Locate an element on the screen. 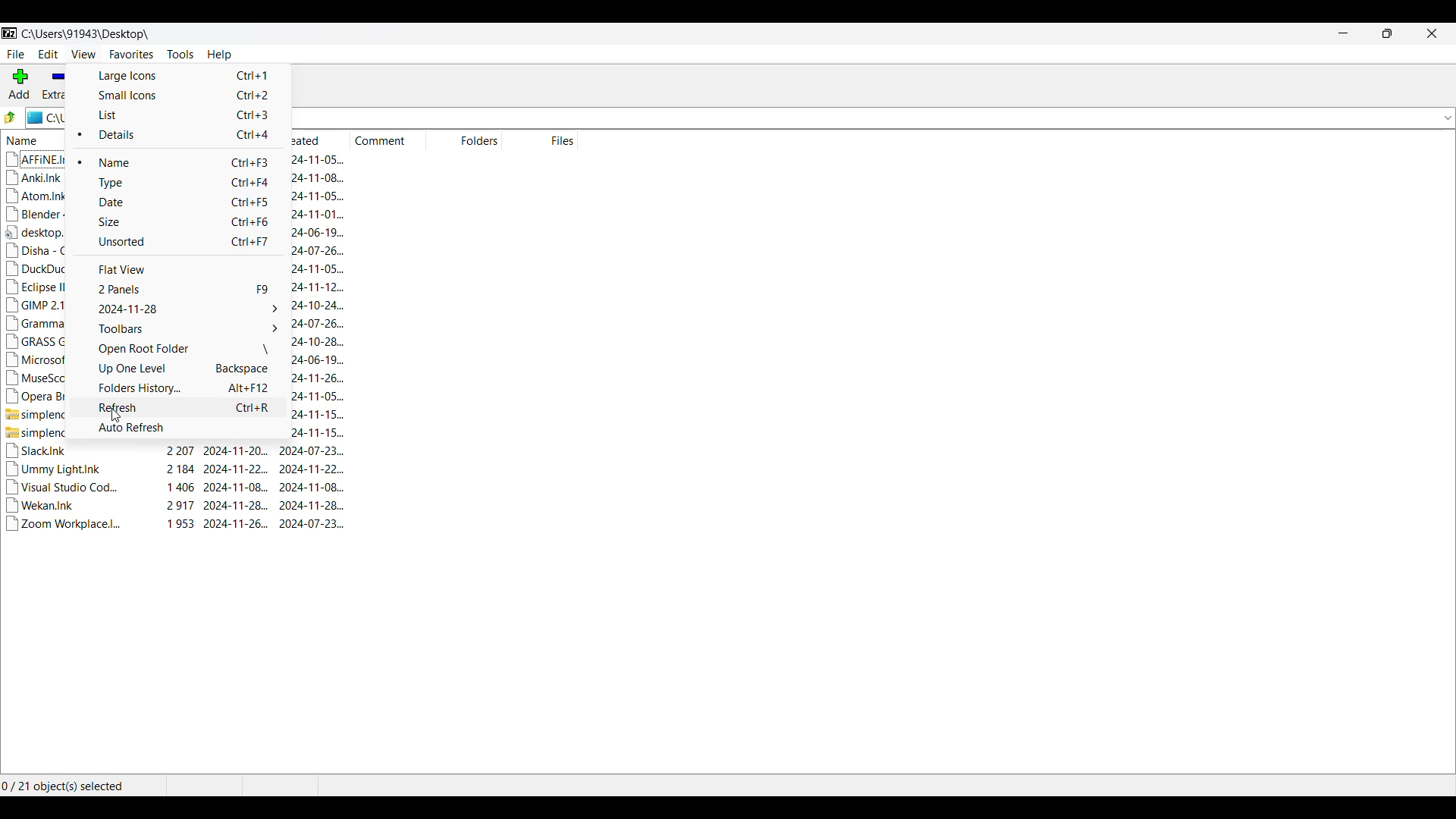 The image size is (1456, 819). 2 panels is located at coordinates (176, 290).